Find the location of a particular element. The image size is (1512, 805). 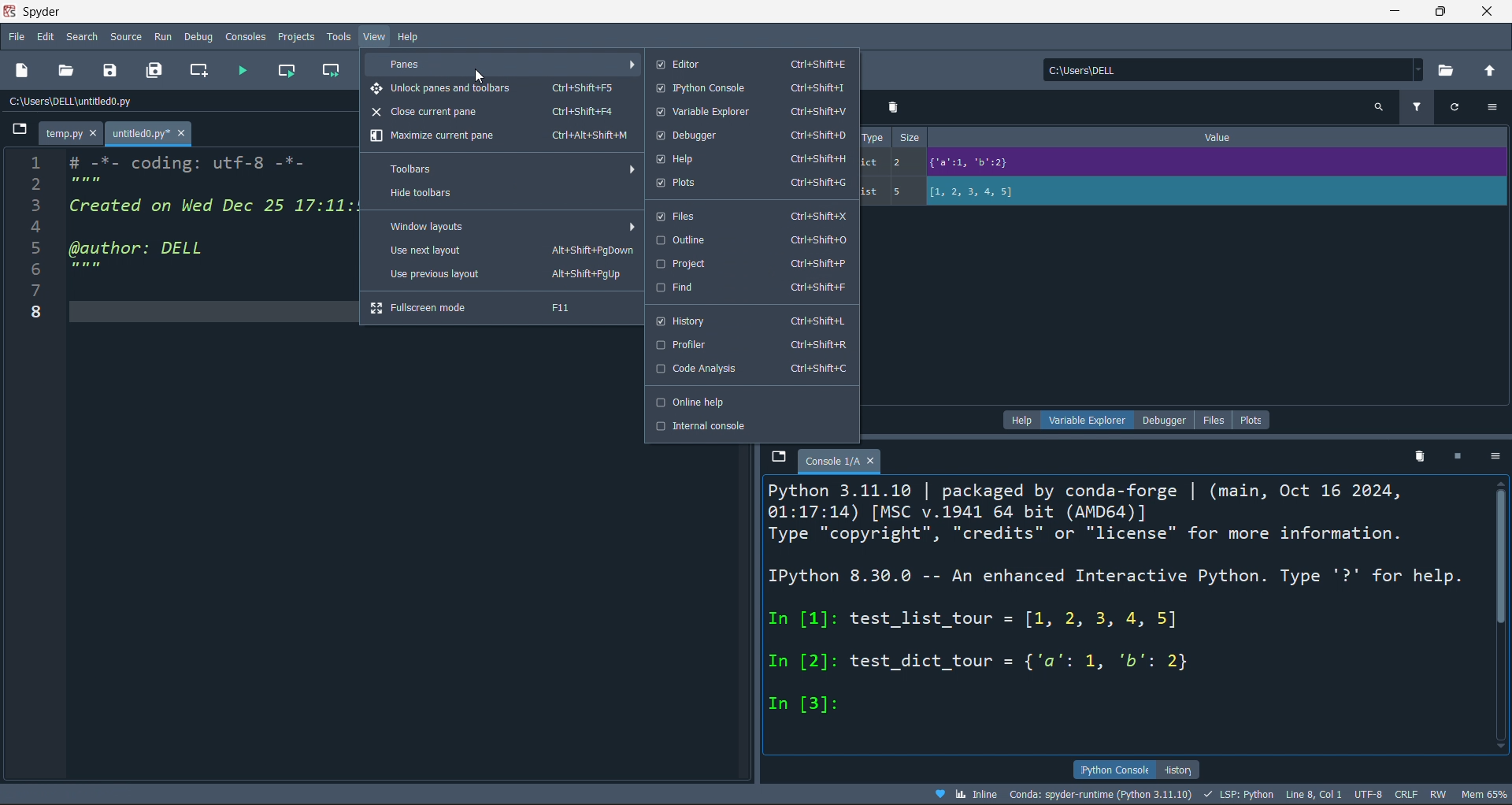

profiler is located at coordinates (747, 344).